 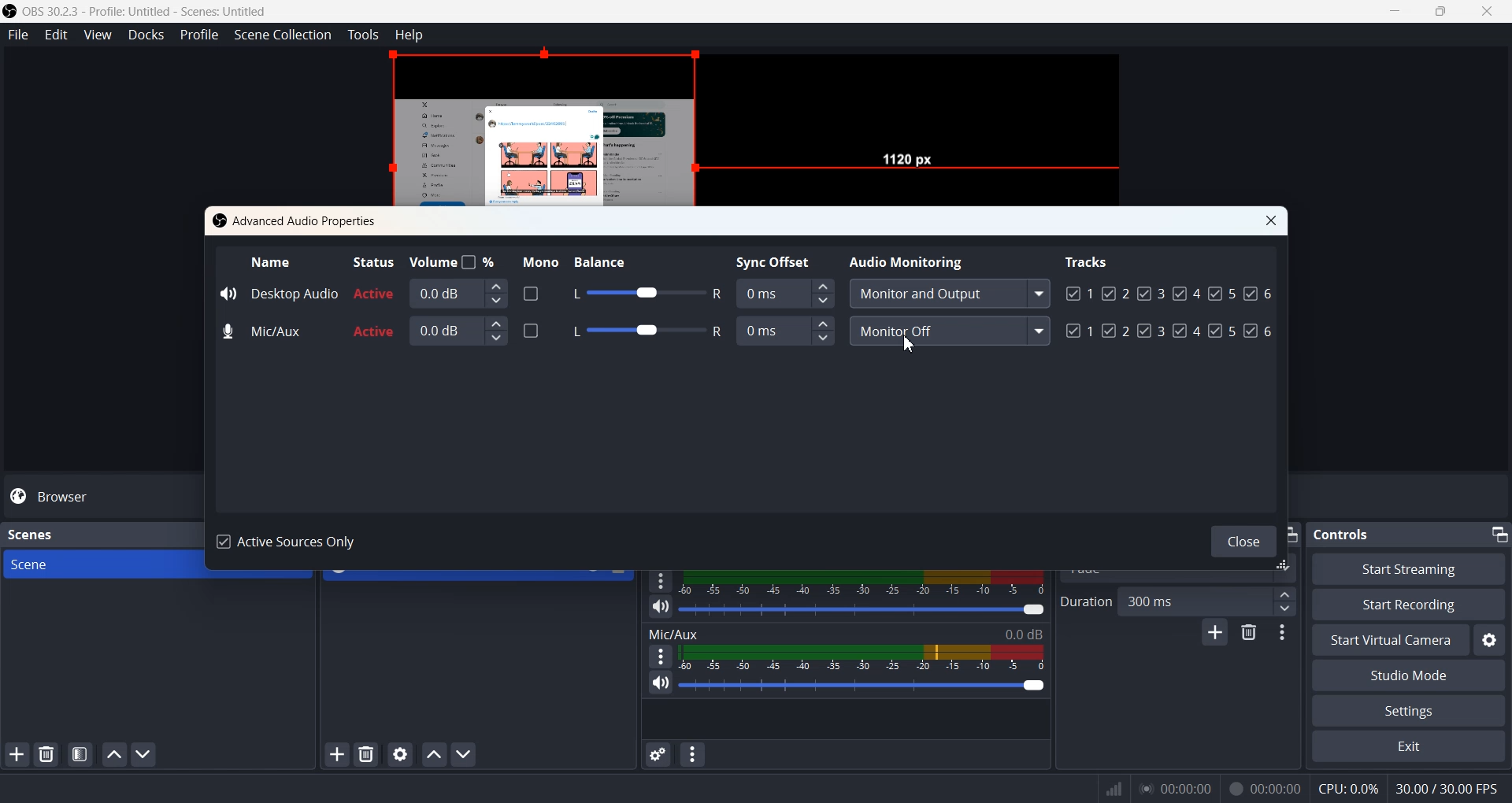 What do you see at coordinates (1209, 601) in the screenshot?
I see `300 ms` at bounding box center [1209, 601].